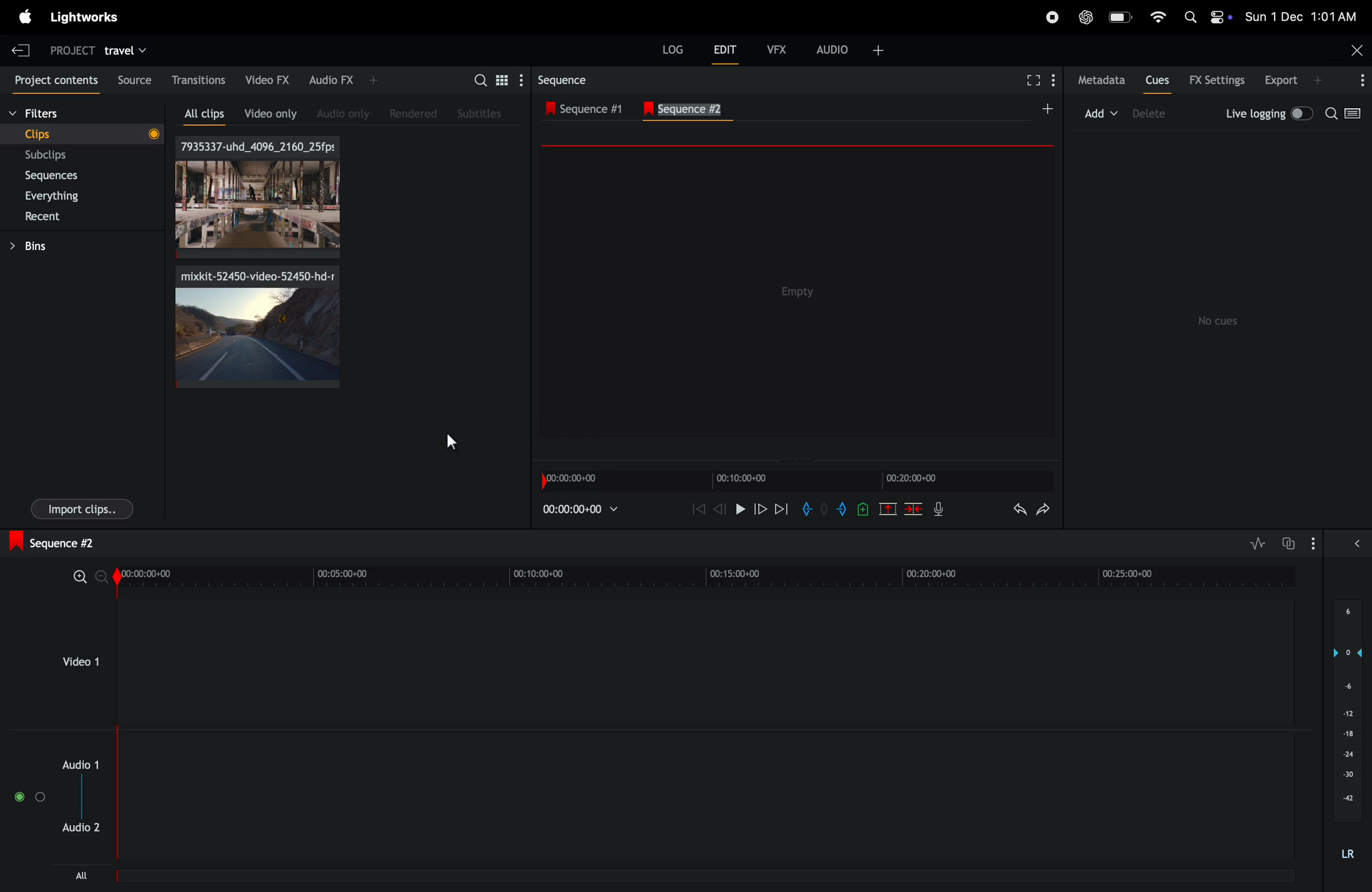  What do you see at coordinates (583, 510) in the screenshot?
I see `playback time` at bounding box center [583, 510].